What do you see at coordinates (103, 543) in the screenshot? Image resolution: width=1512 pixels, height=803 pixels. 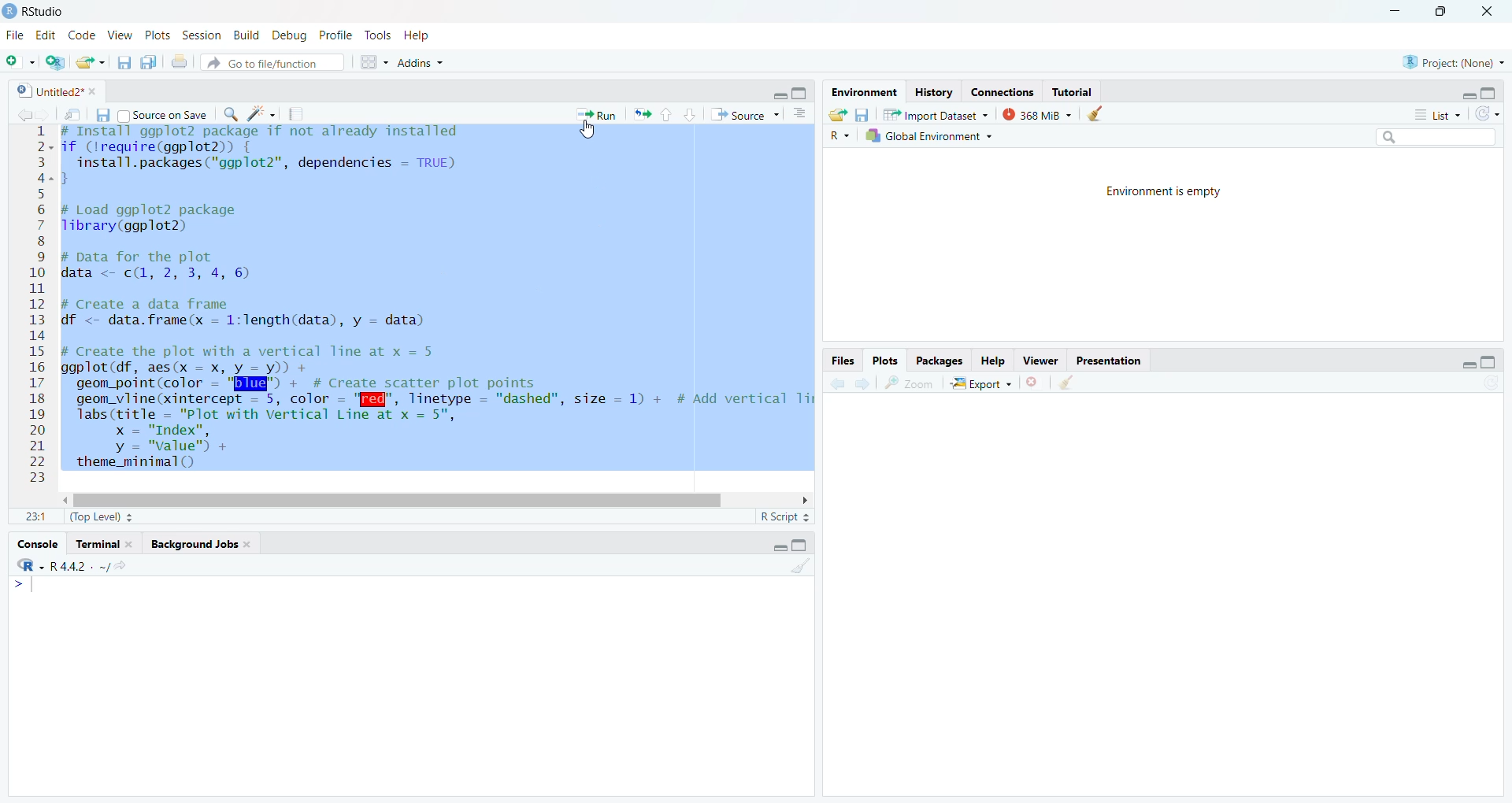 I see `Terminal` at bounding box center [103, 543].